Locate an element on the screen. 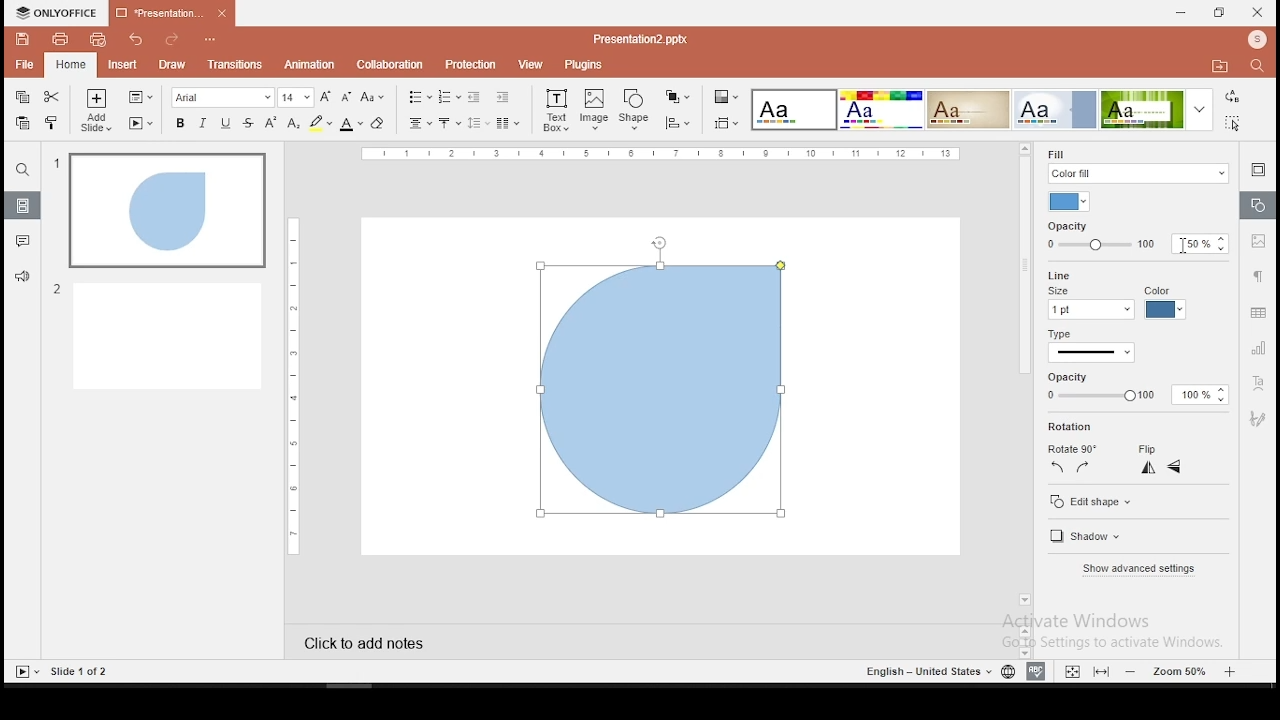  chart settings is located at coordinates (1257, 349).